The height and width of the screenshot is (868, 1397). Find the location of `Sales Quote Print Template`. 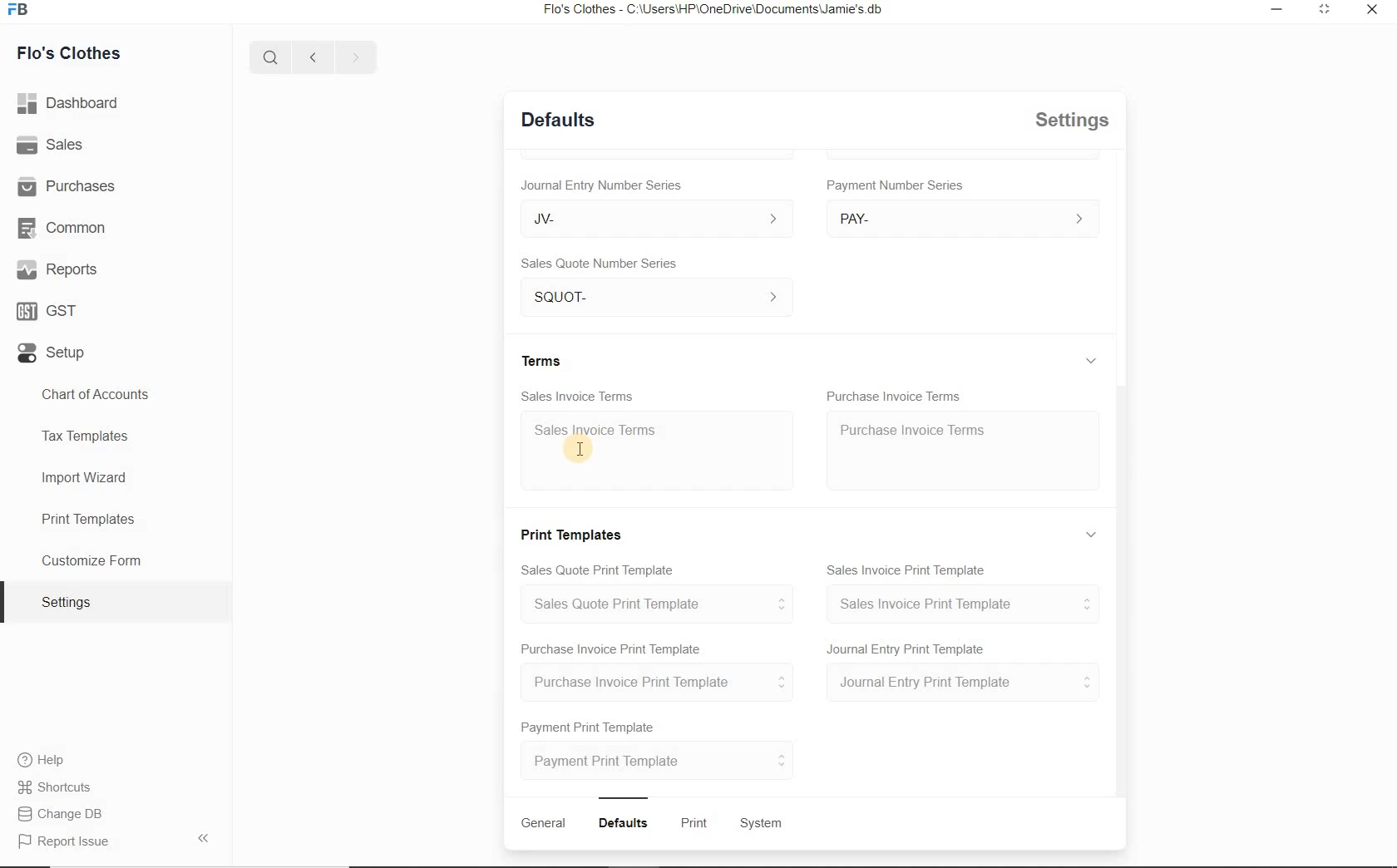

Sales Quote Print Template is located at coordinates (601, 568).